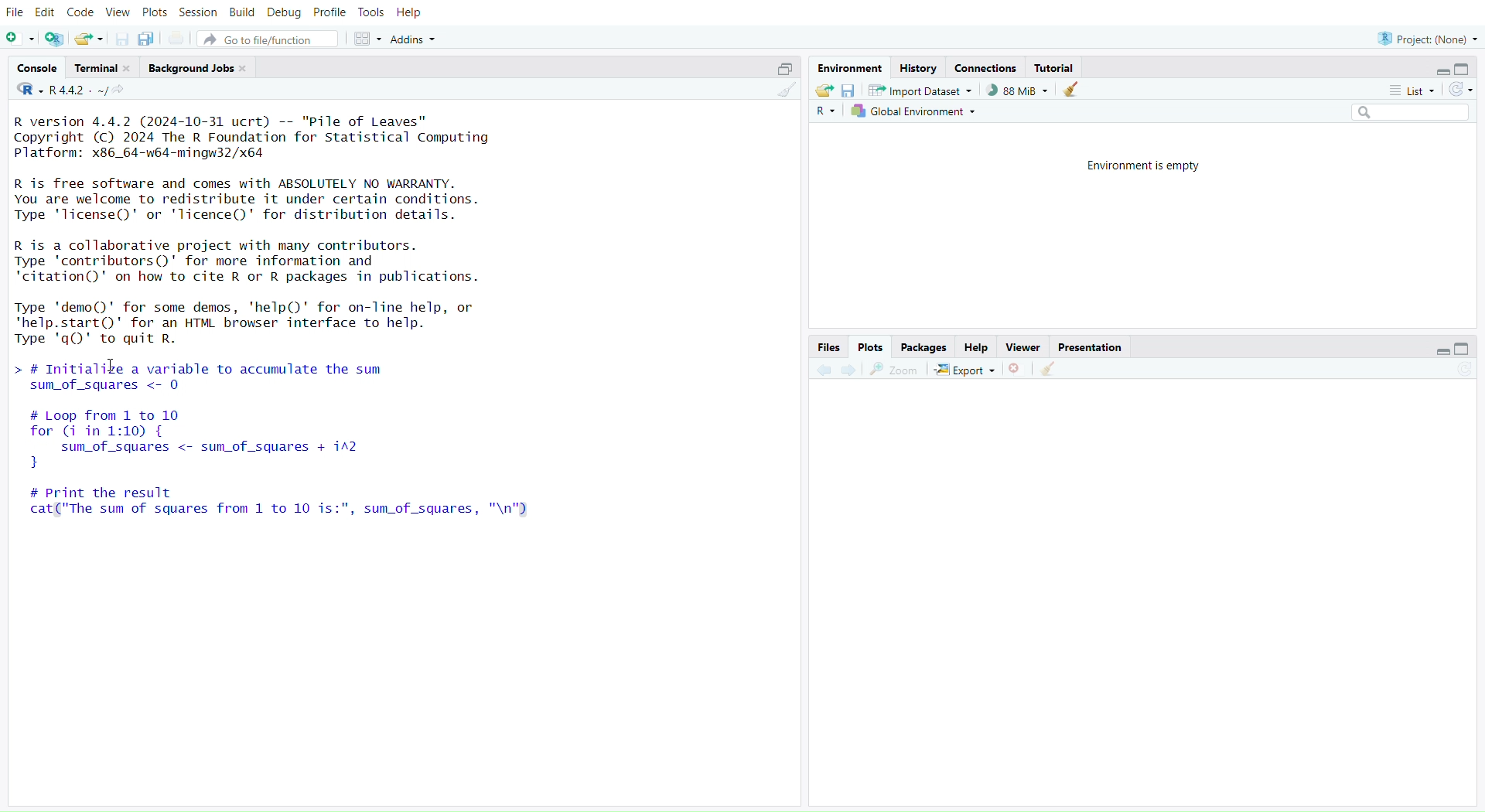 This screenshot has width=1485, height=812. What do you see at coordinates (781, 90) in the screenshot?
I see `clear console` at bounding box center [781, 90].